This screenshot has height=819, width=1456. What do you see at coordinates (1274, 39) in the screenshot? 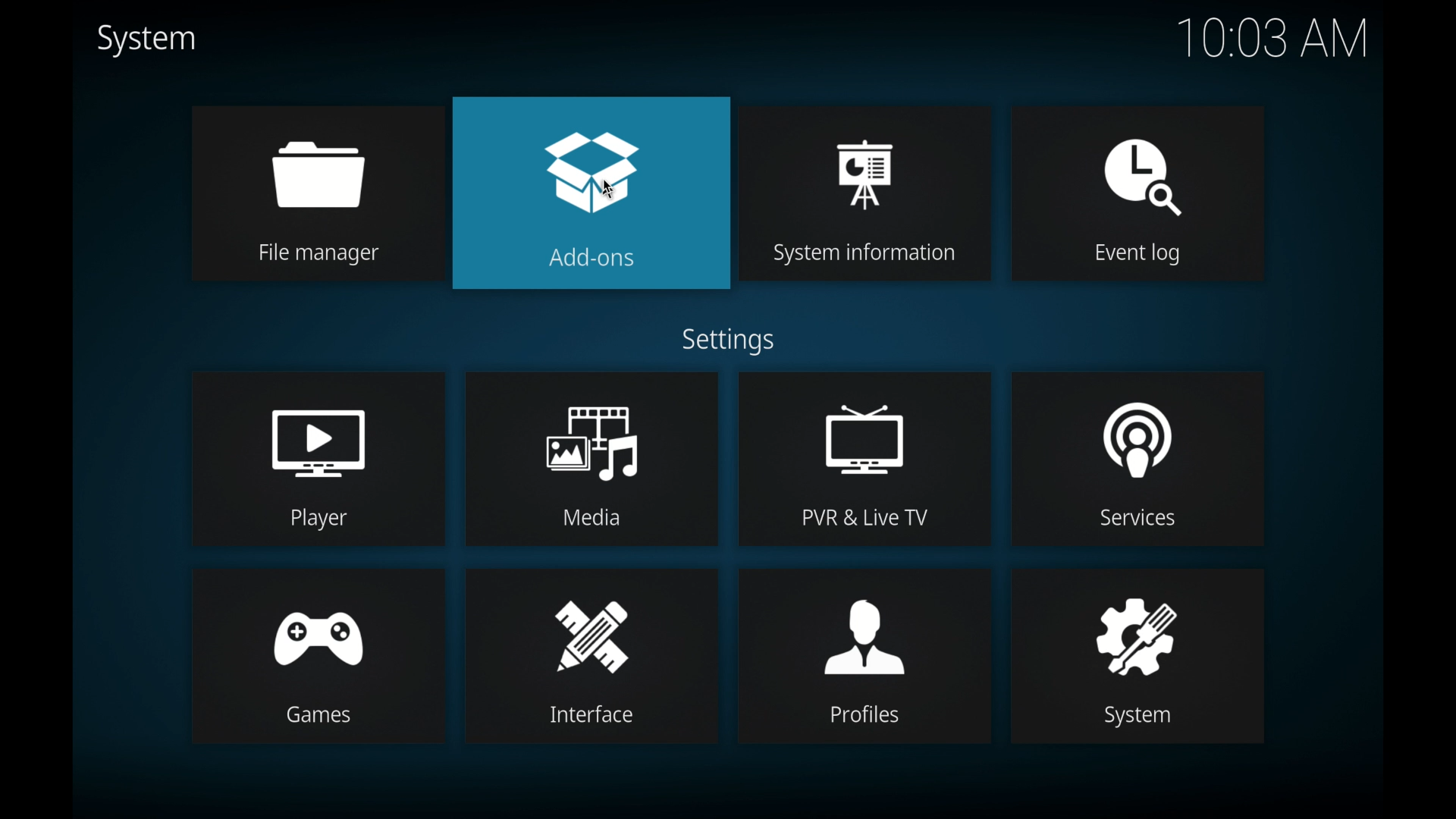
I see `time` at bounding box center [1274, 39].